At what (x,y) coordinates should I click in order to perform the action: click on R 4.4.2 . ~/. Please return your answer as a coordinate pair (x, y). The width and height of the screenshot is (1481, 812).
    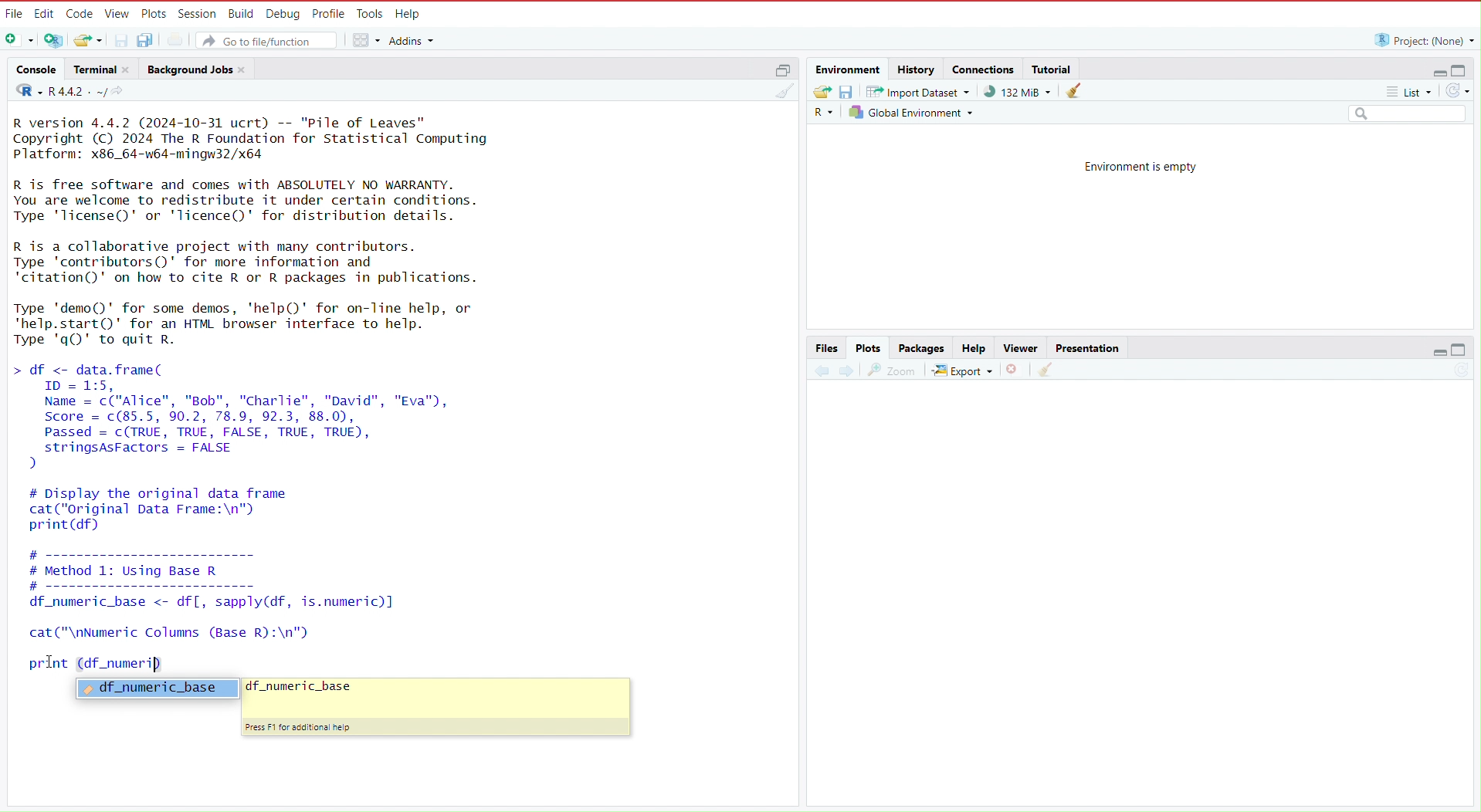
    Looking at the image, I should click on (76, 90).